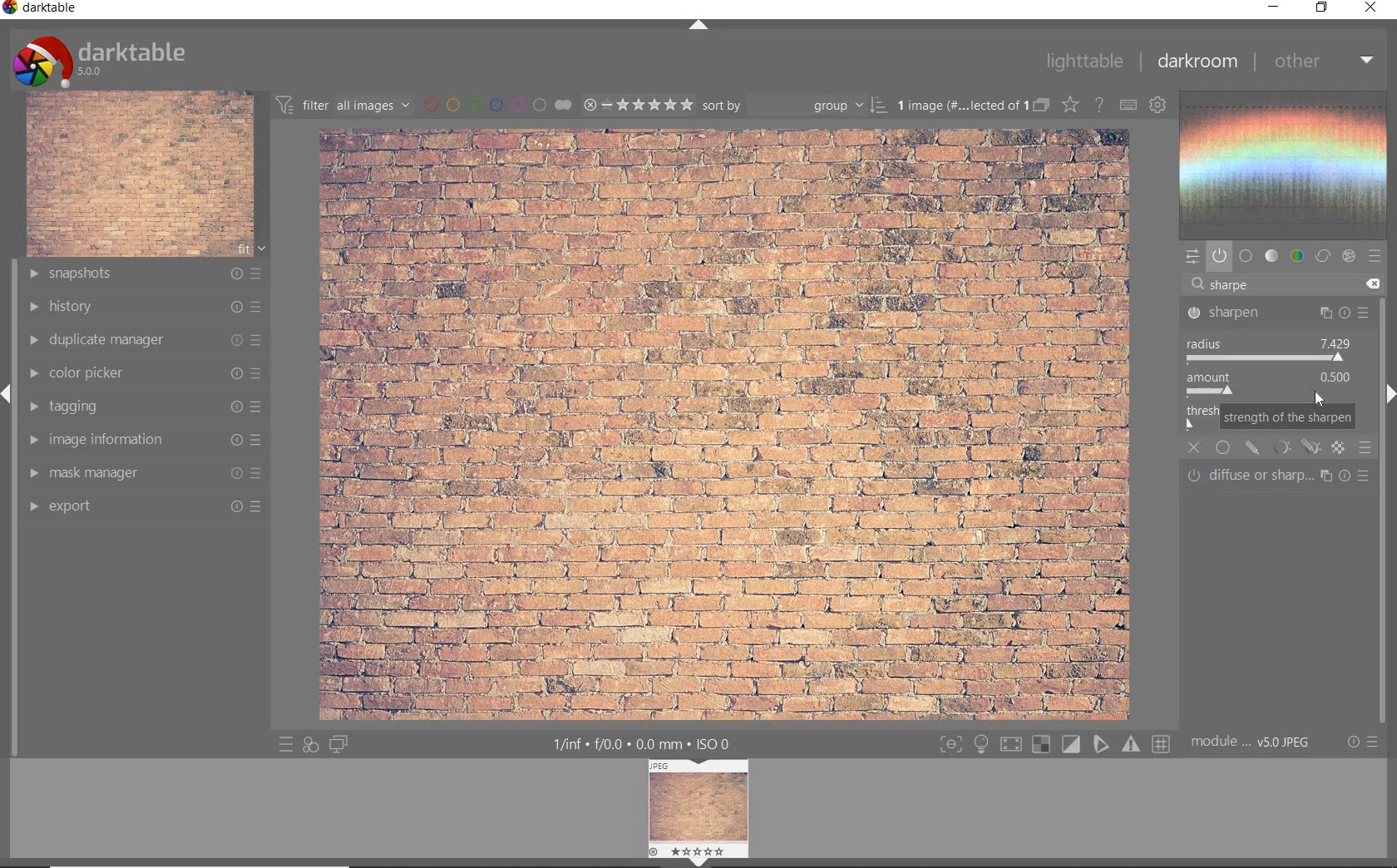 Image resolution: width=1397 pixels, height=868 pixels. What do you see at coordinates (102, 60) in the screenshot?
I see `darktable 5.0.0` at bounding box center [102, 60].